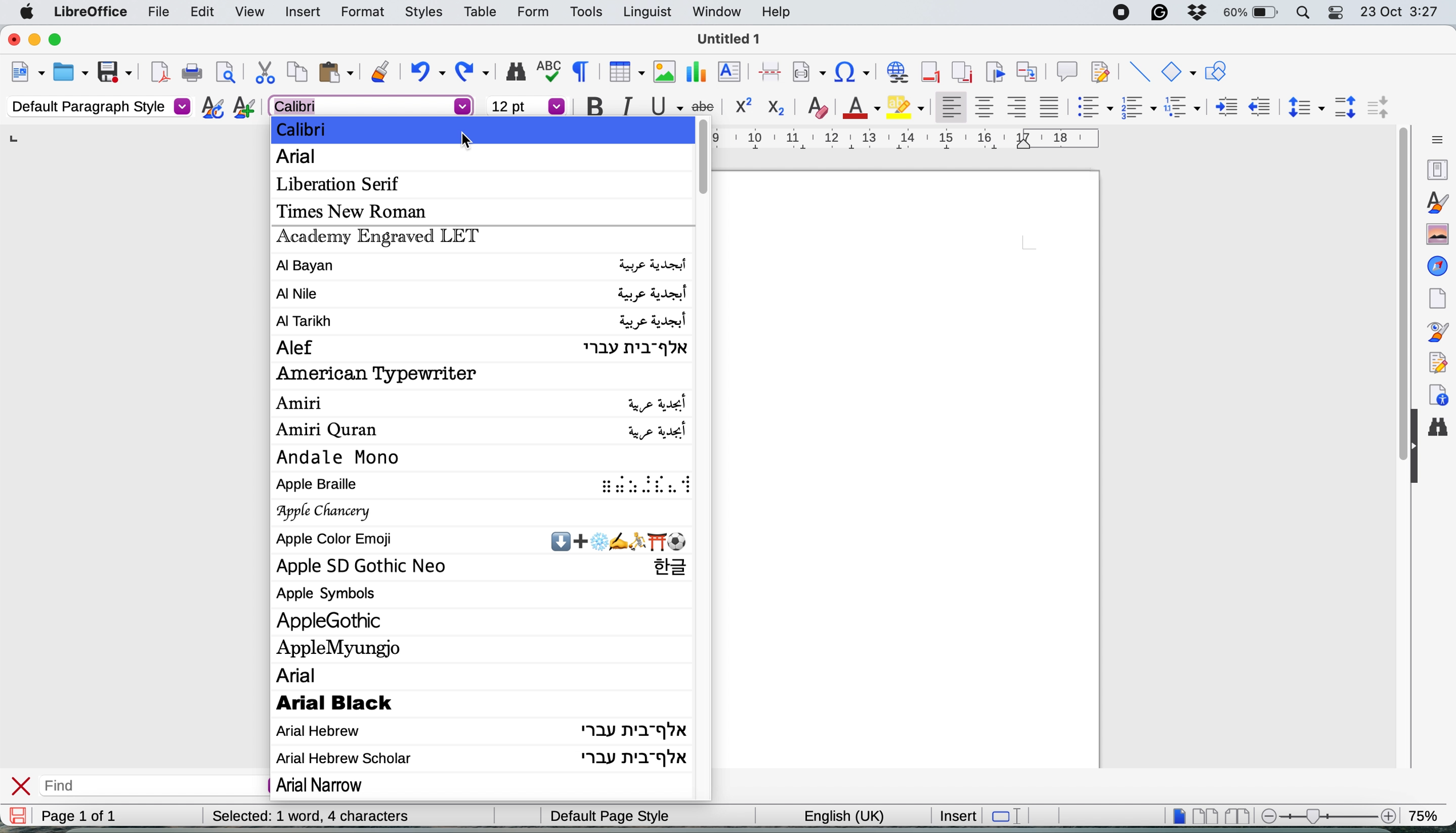 The height and width of the screenshot is (833, 1456). What do you see at coordinates (1442, 433) in the screenshot?
I see `find and replace` at bounding box center [1442, 433].